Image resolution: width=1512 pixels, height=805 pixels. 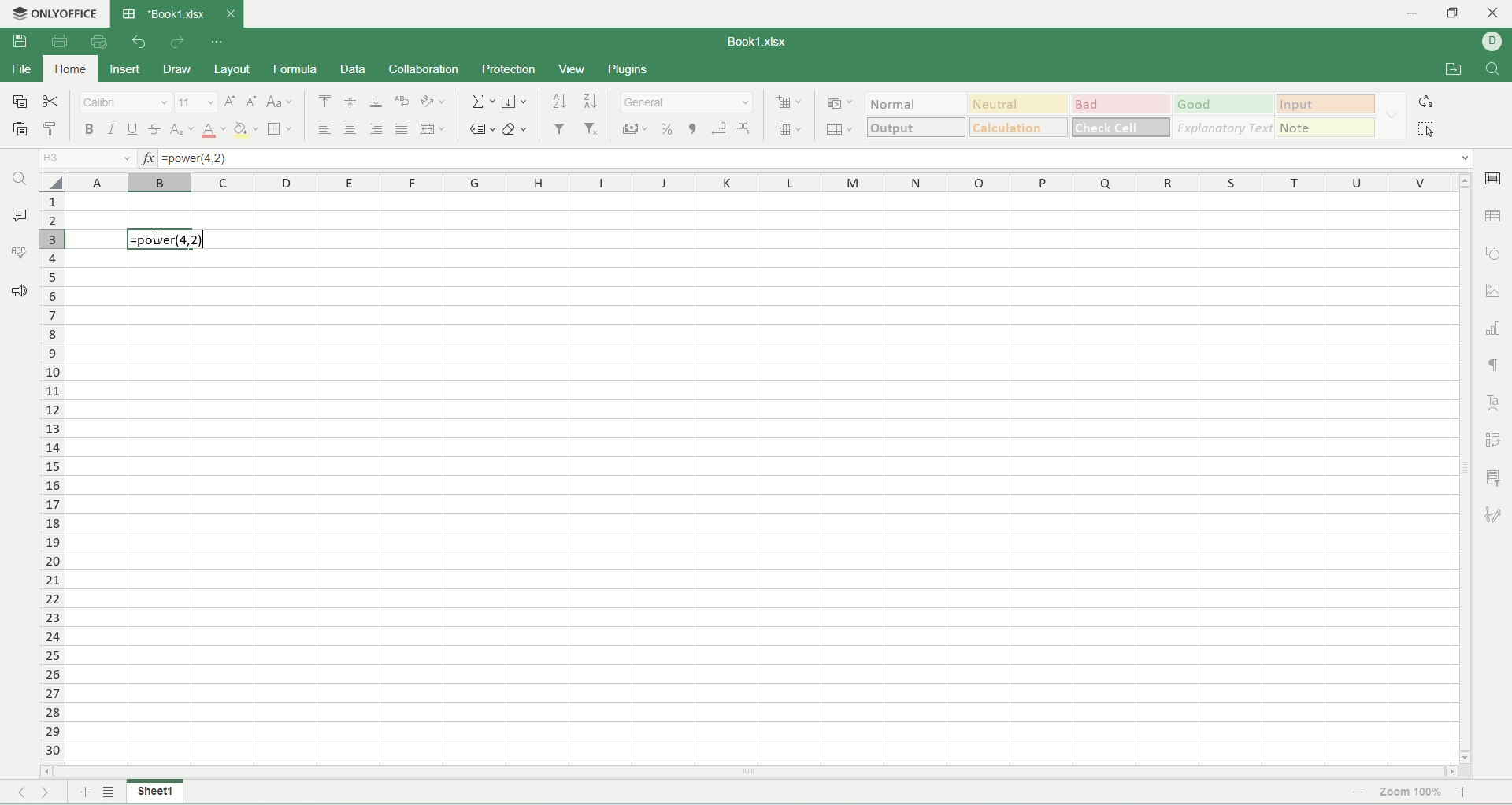 What do you see at coordinates (749, 770) in the screenshot?
I see `horizontal scroll bar` at bounding box center [749, 770].